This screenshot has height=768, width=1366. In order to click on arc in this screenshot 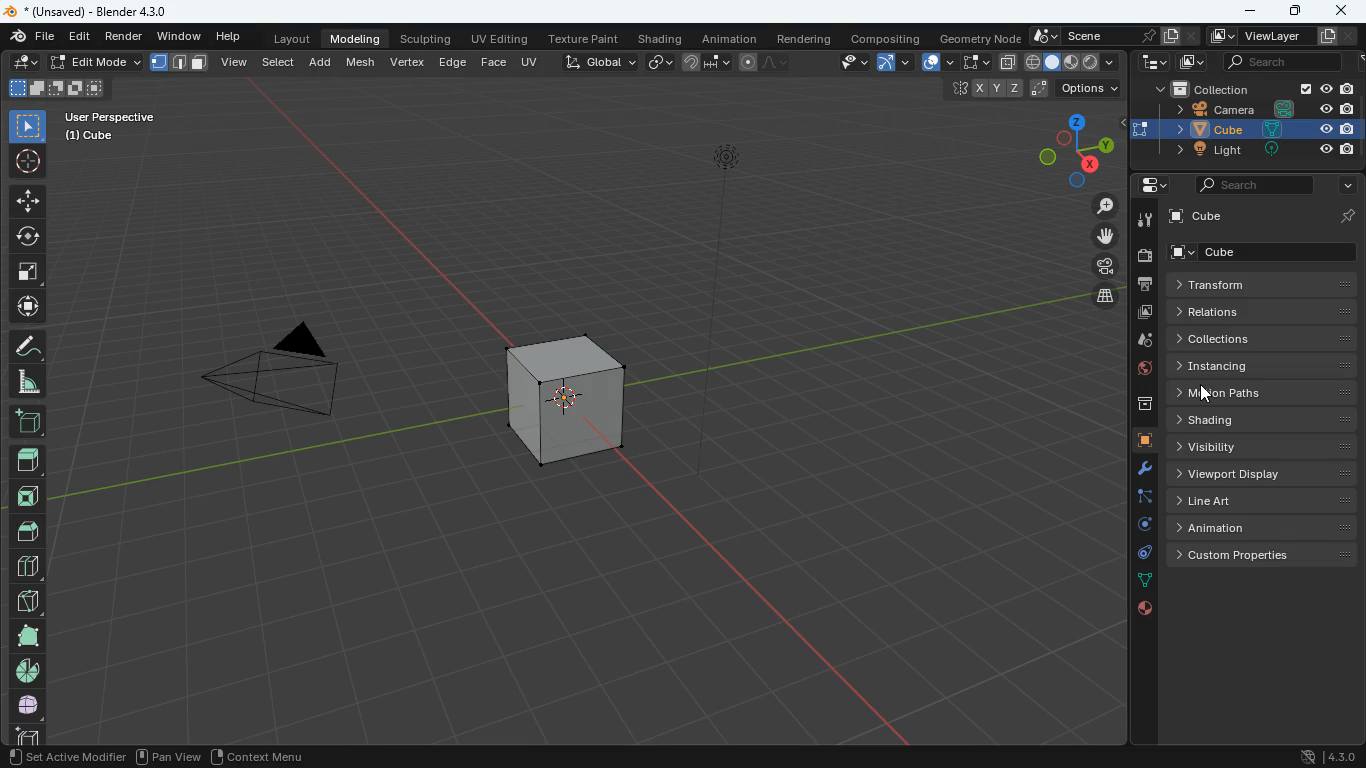, I will do `click(896, 62)`.